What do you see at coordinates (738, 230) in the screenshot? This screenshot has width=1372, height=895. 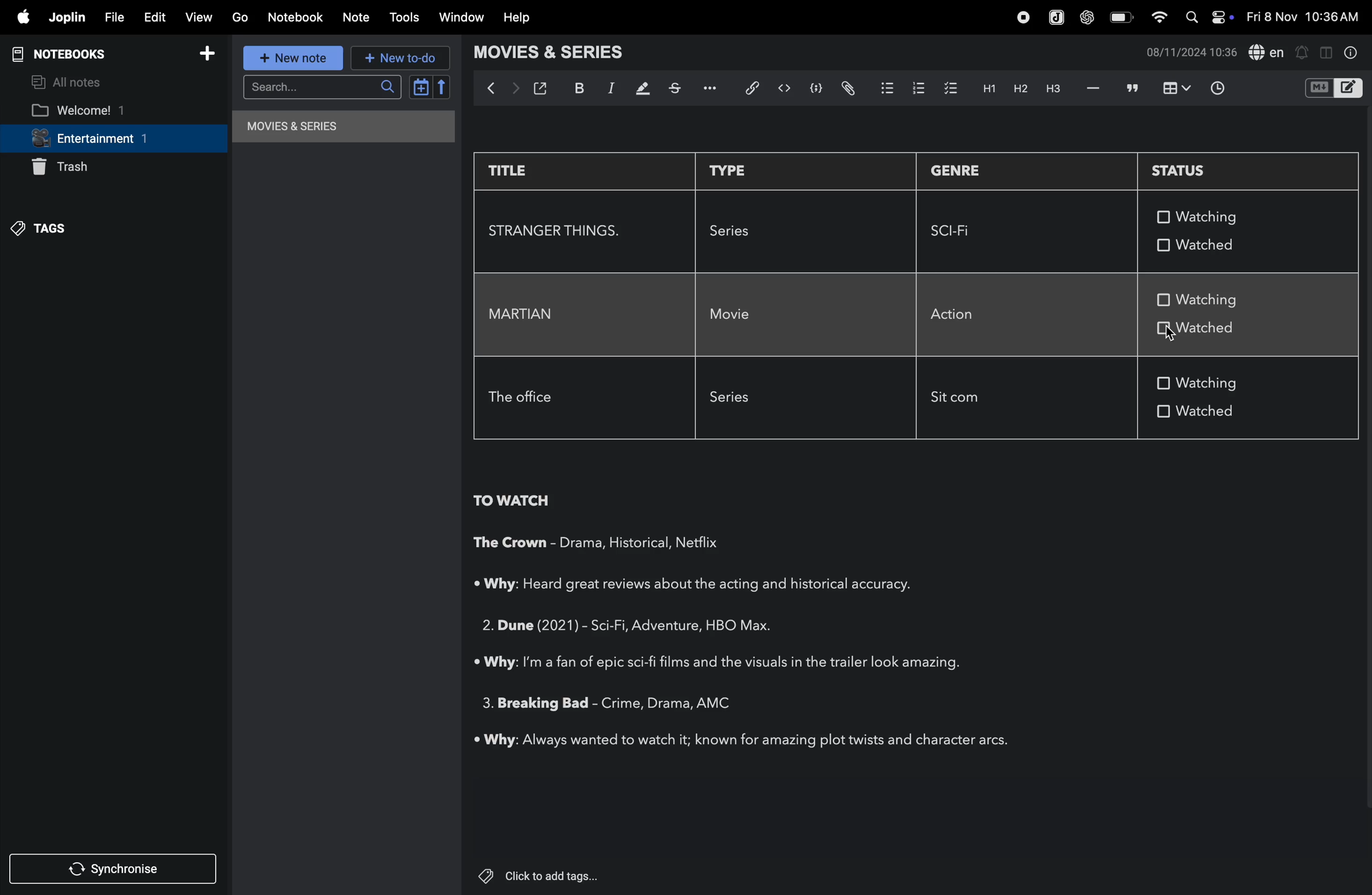 I see `series` at bounding box center [738, 230].